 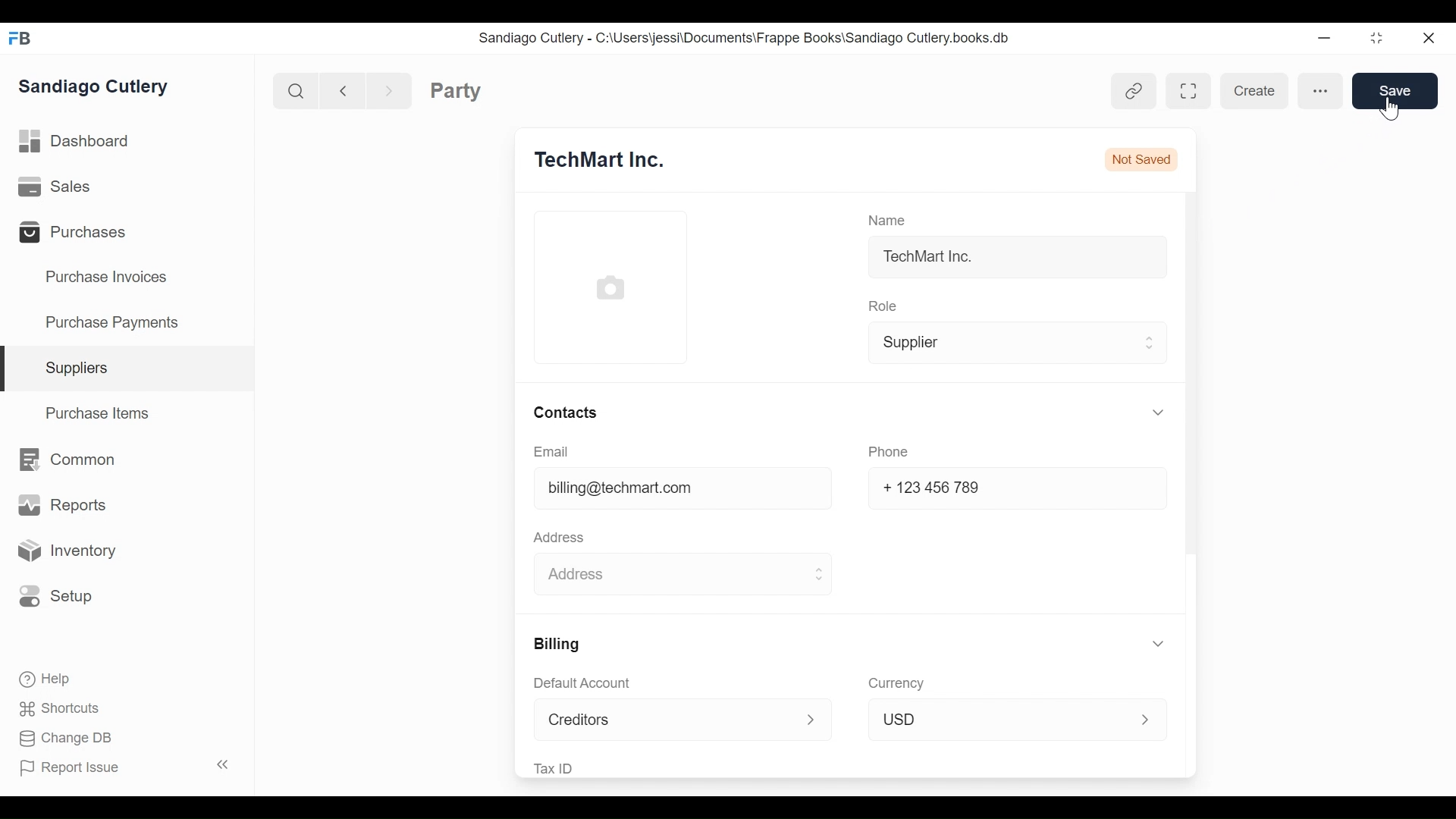 What do you see at coordinates (83, 140) in the screenshot?
I see `Dashboard` at bounding box center [83, 140].